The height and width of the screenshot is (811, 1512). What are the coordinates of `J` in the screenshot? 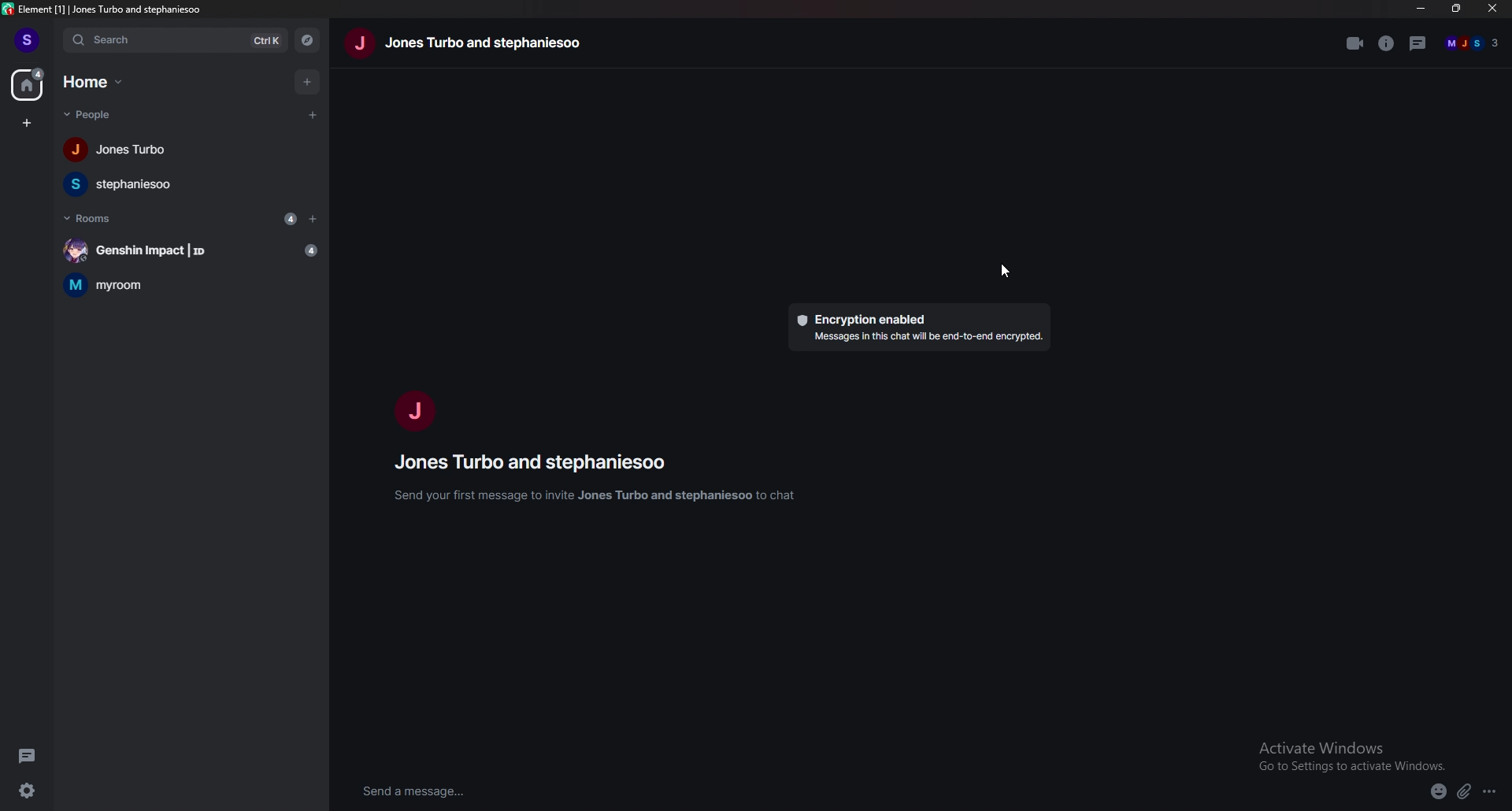 It's located at (413, 406).